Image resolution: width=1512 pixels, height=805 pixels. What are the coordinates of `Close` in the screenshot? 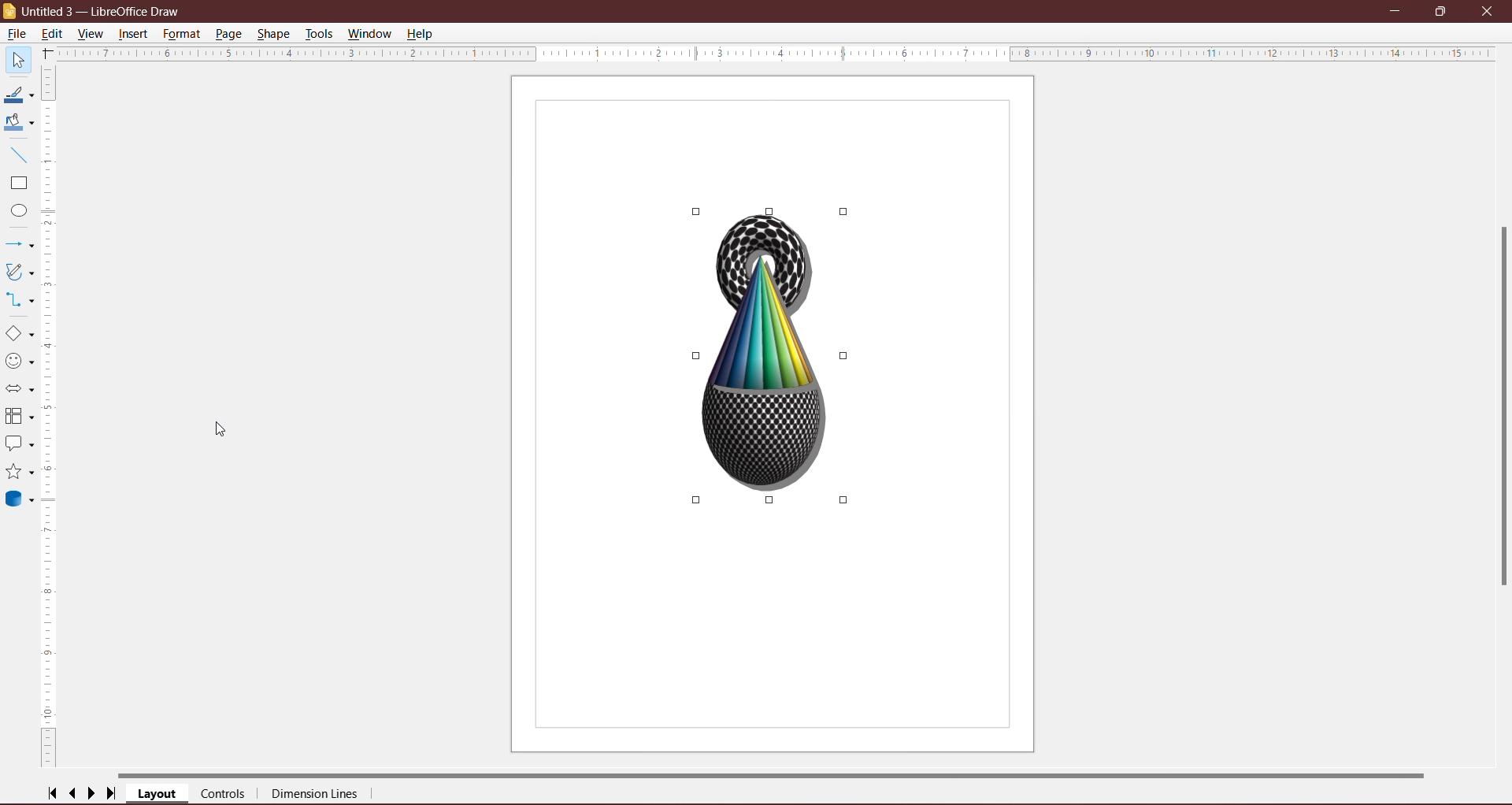 It's located at (1490, 12).